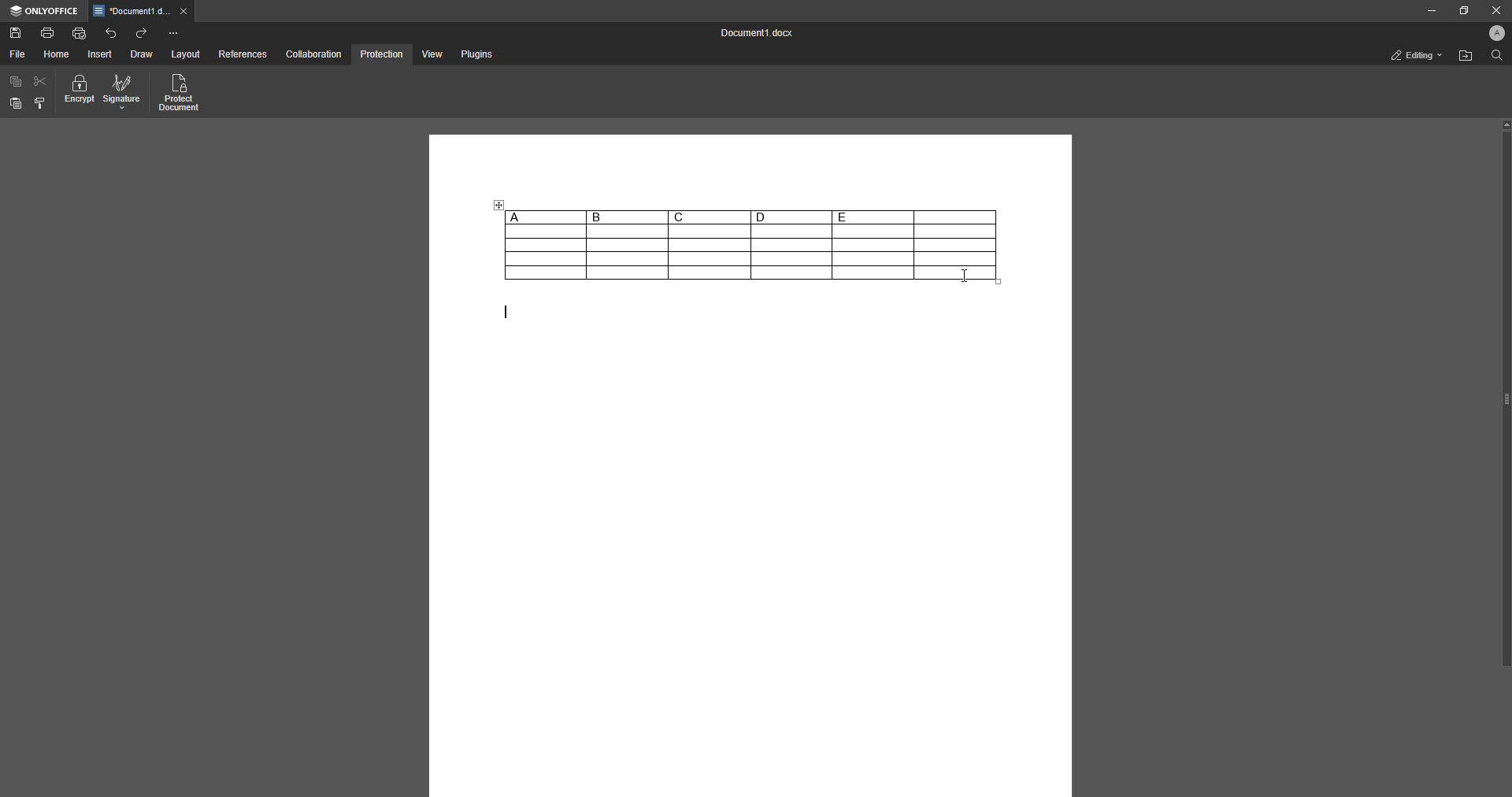 The image size is (1512, 797). I want to click on Document 1, so click(753, 35).